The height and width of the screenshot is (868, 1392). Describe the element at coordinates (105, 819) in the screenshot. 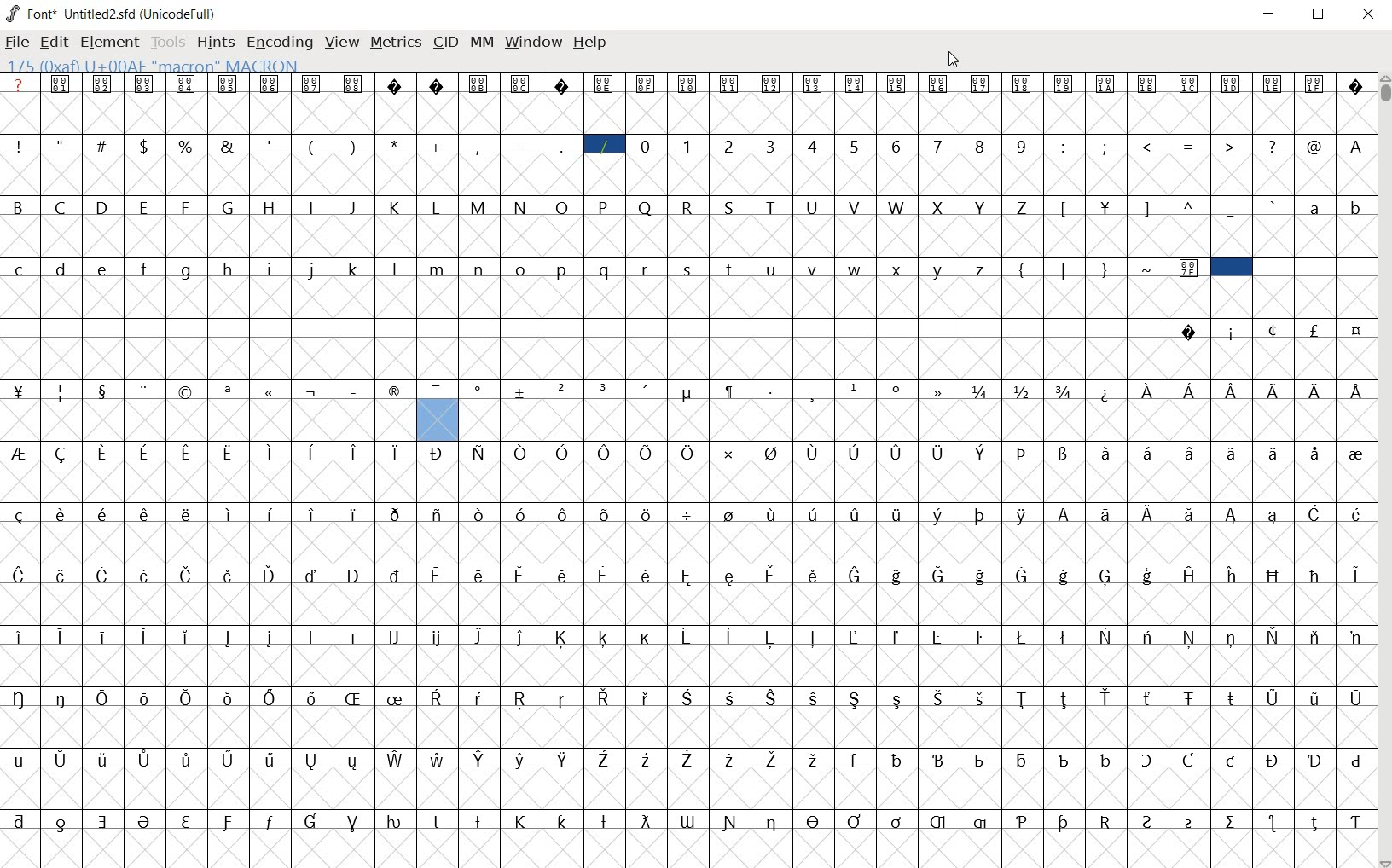

I see `Symbol` at that location.